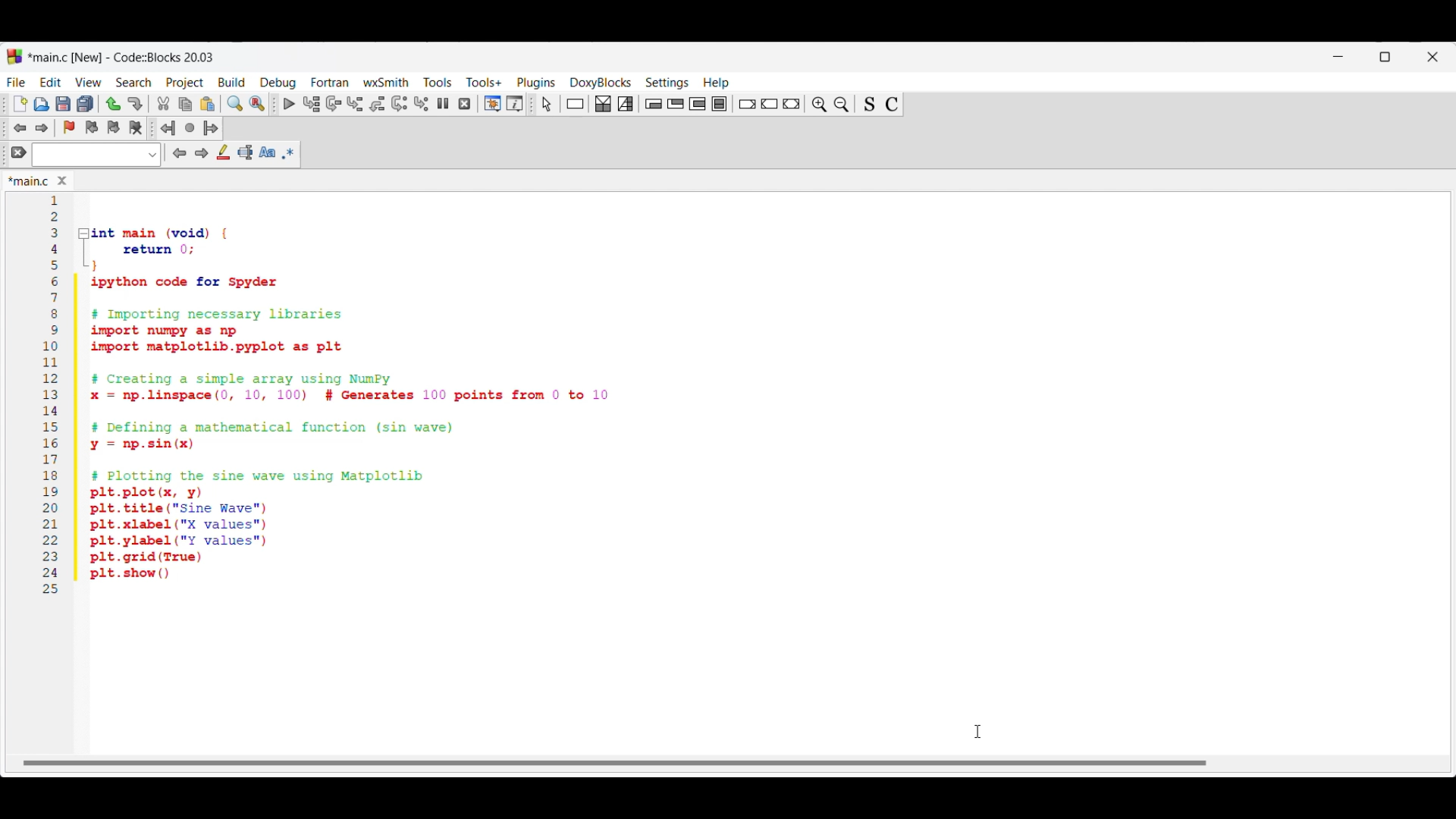  What do you see at coordinates (288, 153) in the screenshot?
I see `Use regex` at bounding box center [288, 153].